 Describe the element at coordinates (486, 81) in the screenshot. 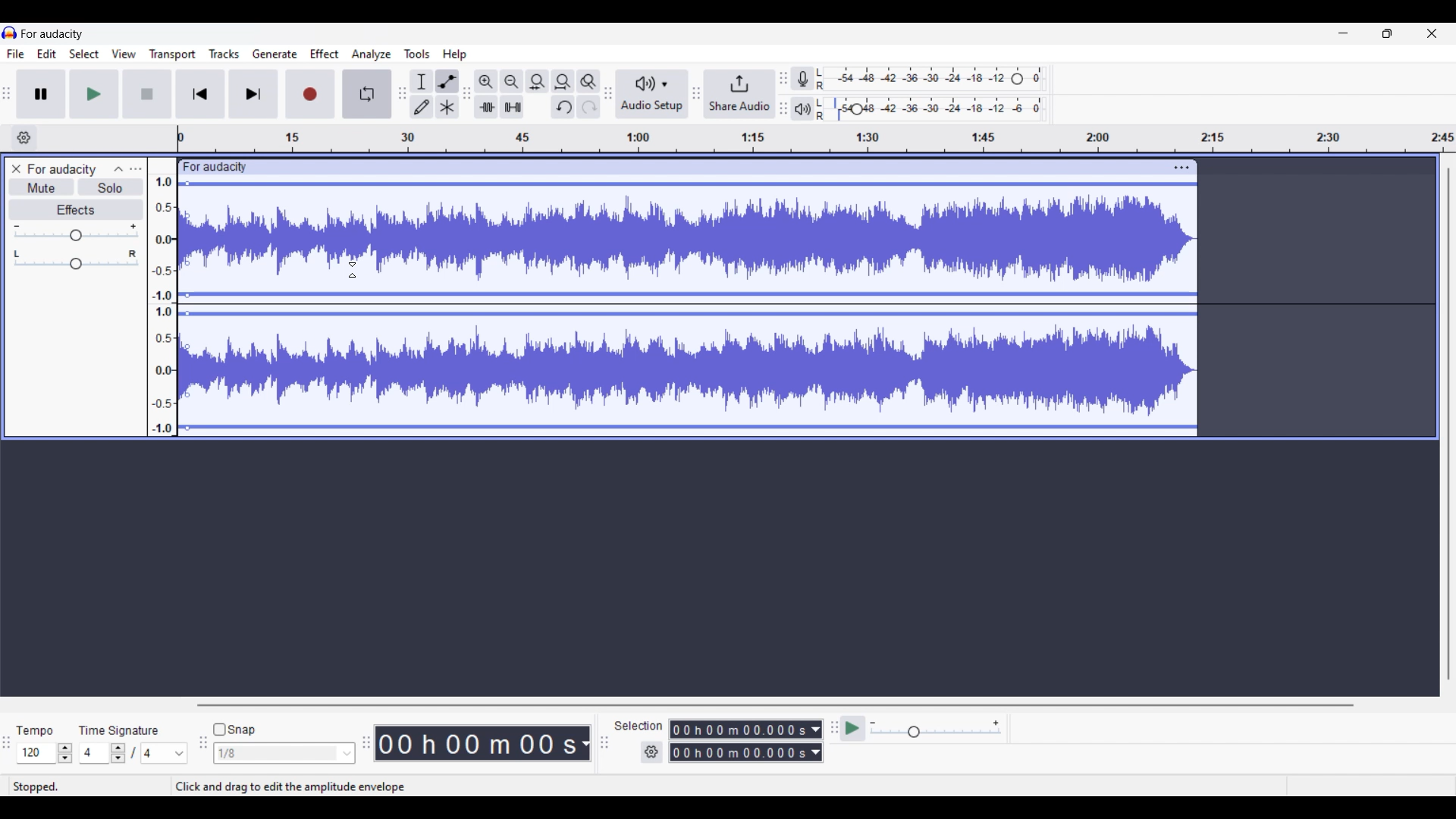

I see `Zoom in` at that location.